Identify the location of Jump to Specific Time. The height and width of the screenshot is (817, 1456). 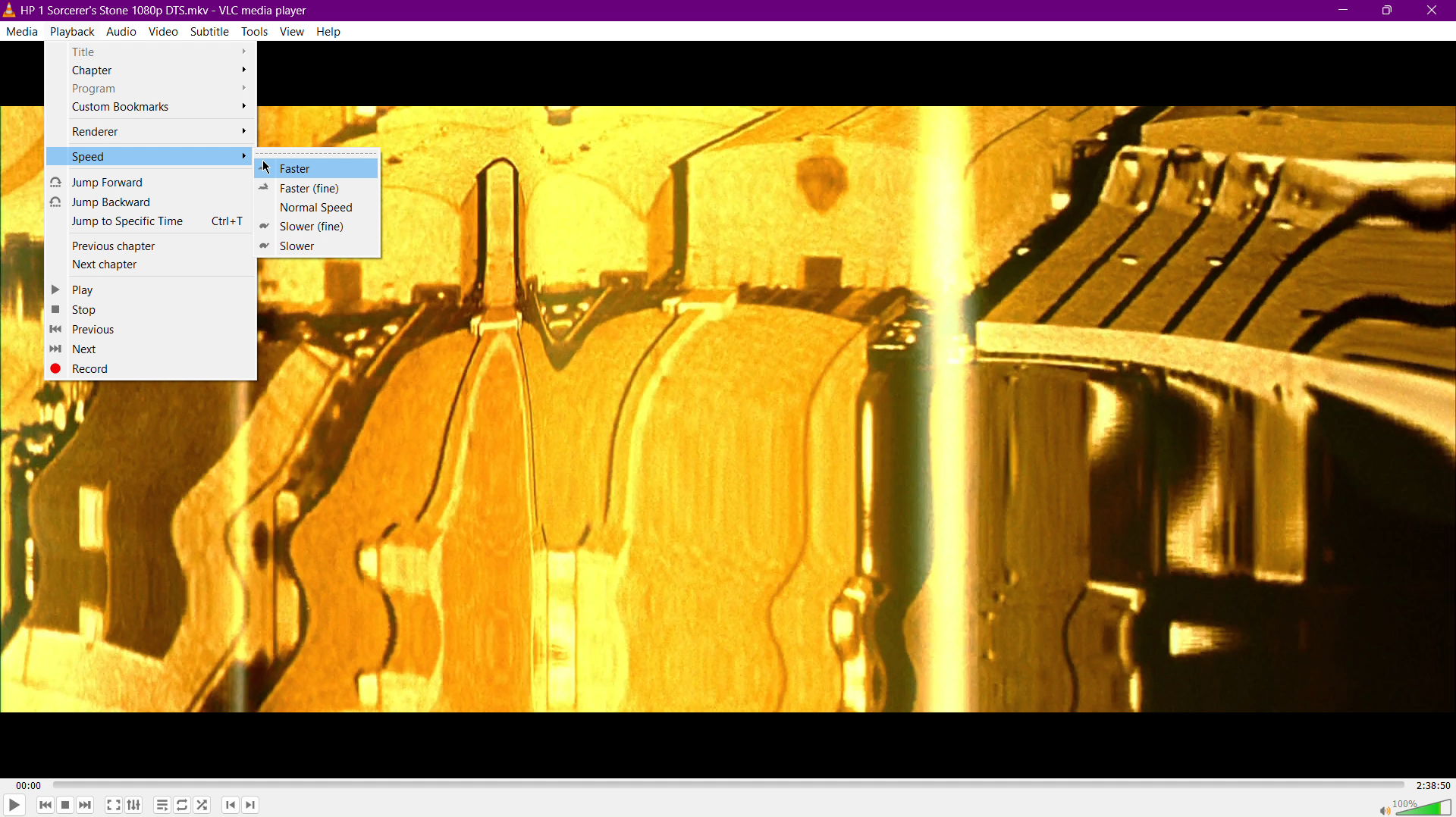
(152, 221).